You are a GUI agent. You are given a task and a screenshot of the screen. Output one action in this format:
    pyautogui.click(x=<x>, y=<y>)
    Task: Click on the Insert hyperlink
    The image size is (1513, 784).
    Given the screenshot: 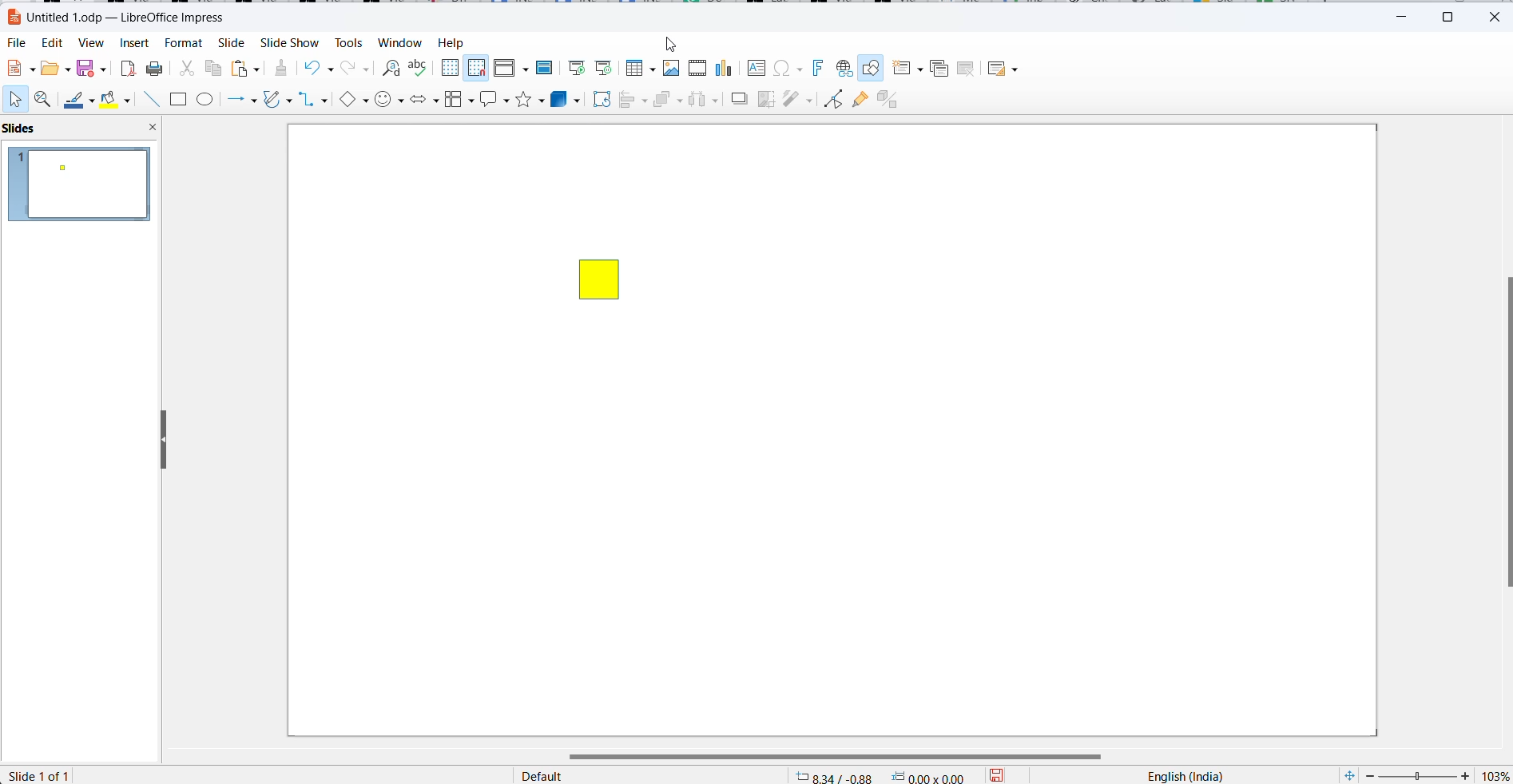 What is the action you would take?
    pyautogui.click(x=842, y=69)
    